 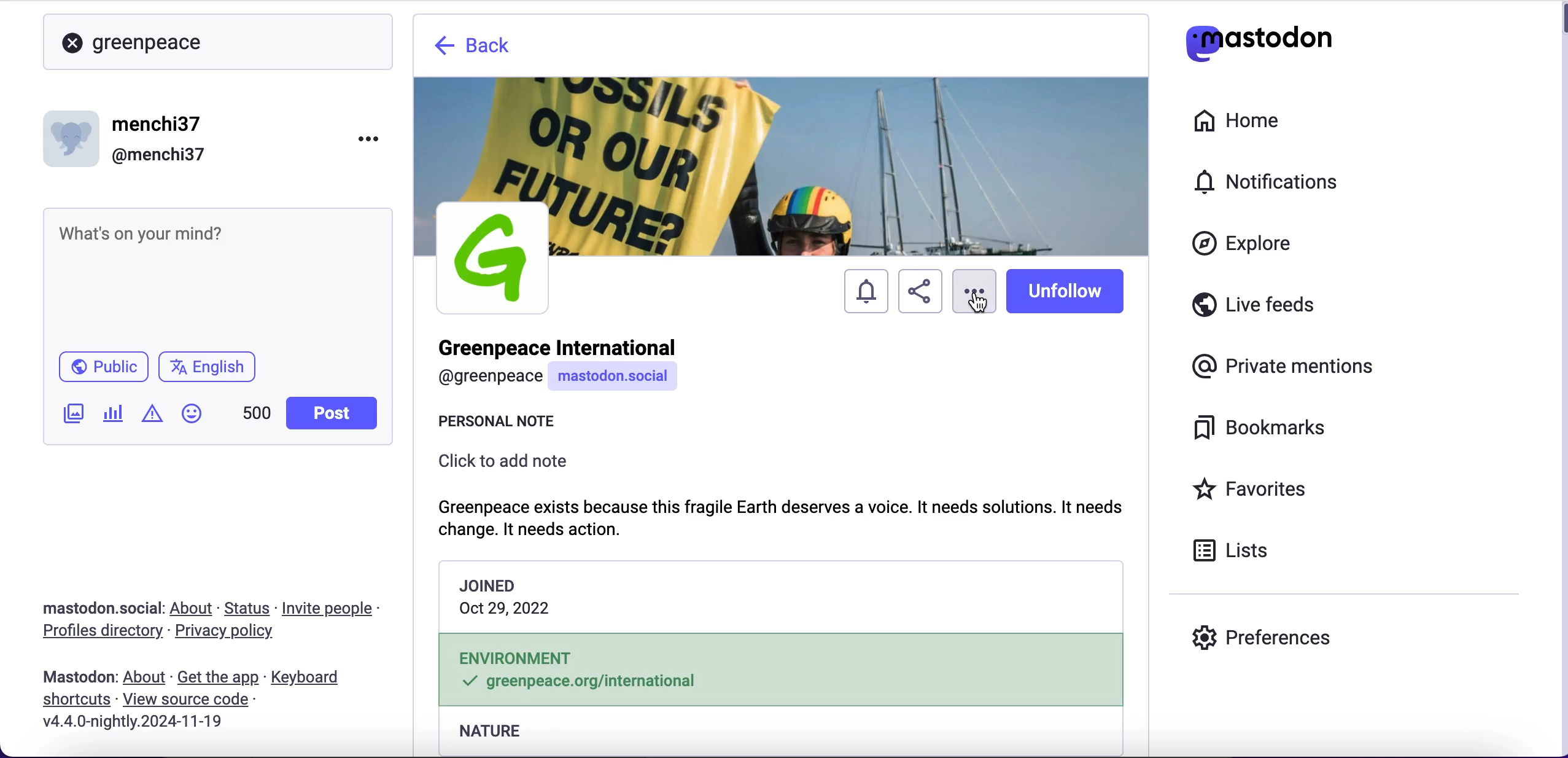 What do you see at coordinates (257, 415) in the screenshot?
I see `characters` at bounding box center [257, 415].